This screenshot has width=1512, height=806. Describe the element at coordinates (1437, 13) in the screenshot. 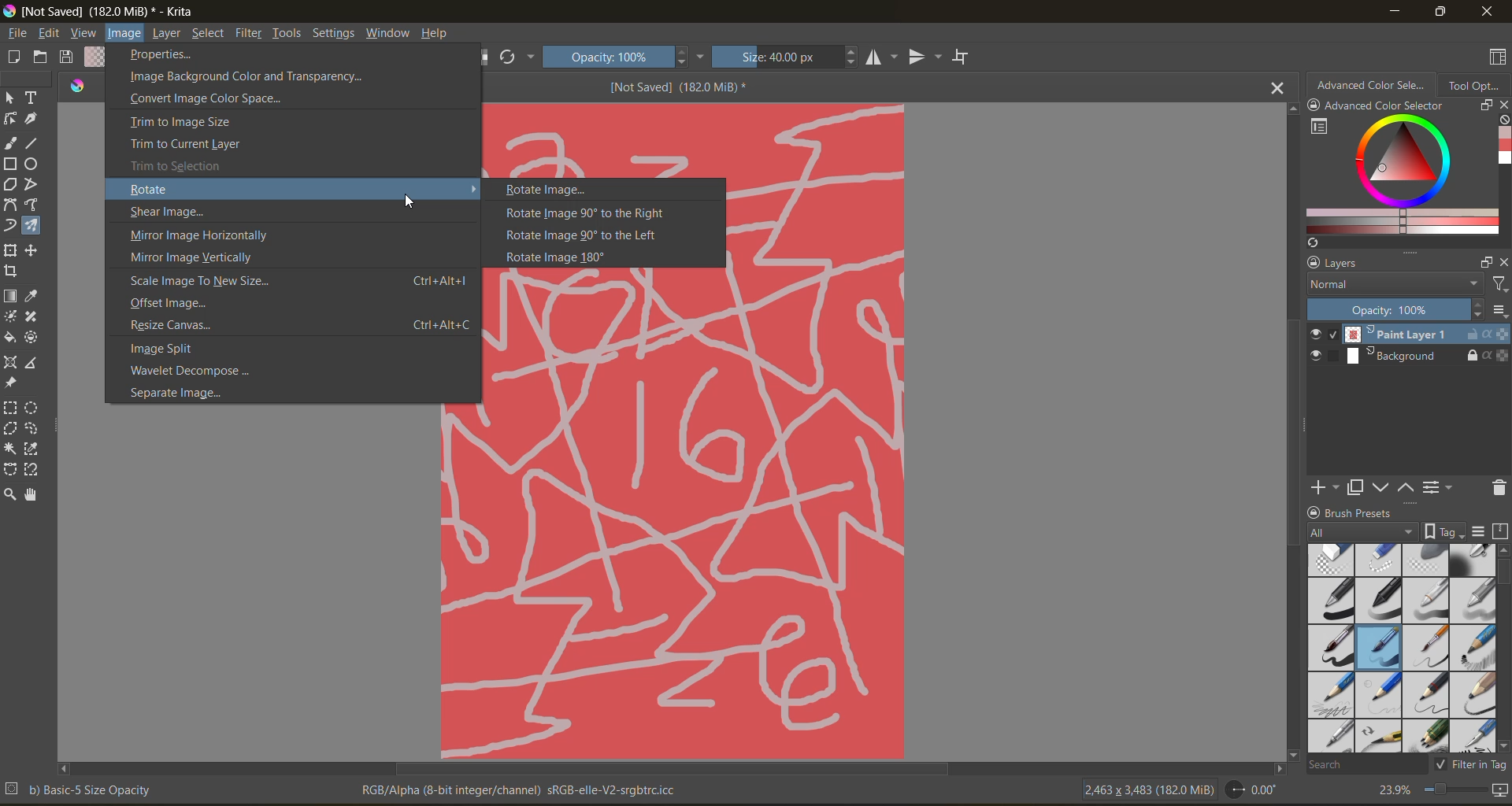

I see `maximize` at that location.